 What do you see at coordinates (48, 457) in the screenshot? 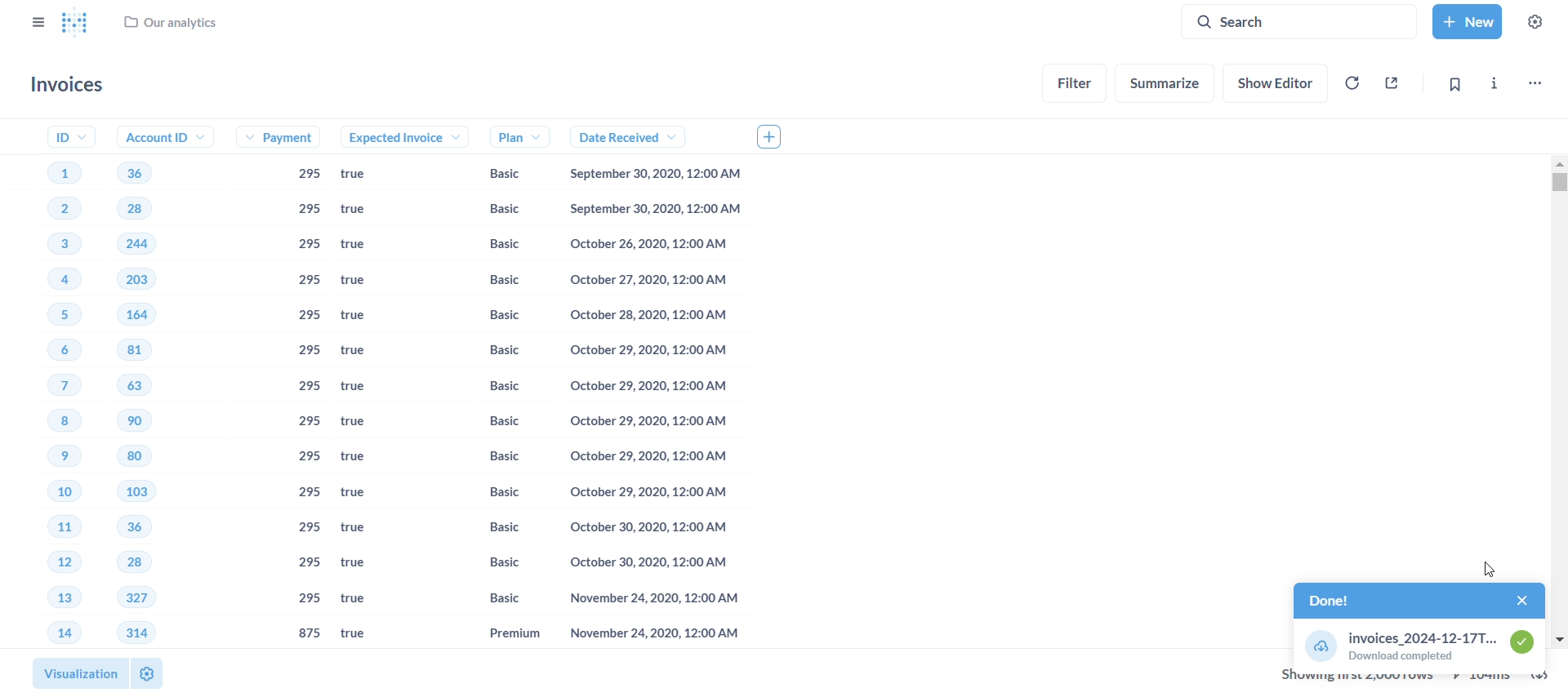
I see `9` at bounding box center [48, 457].